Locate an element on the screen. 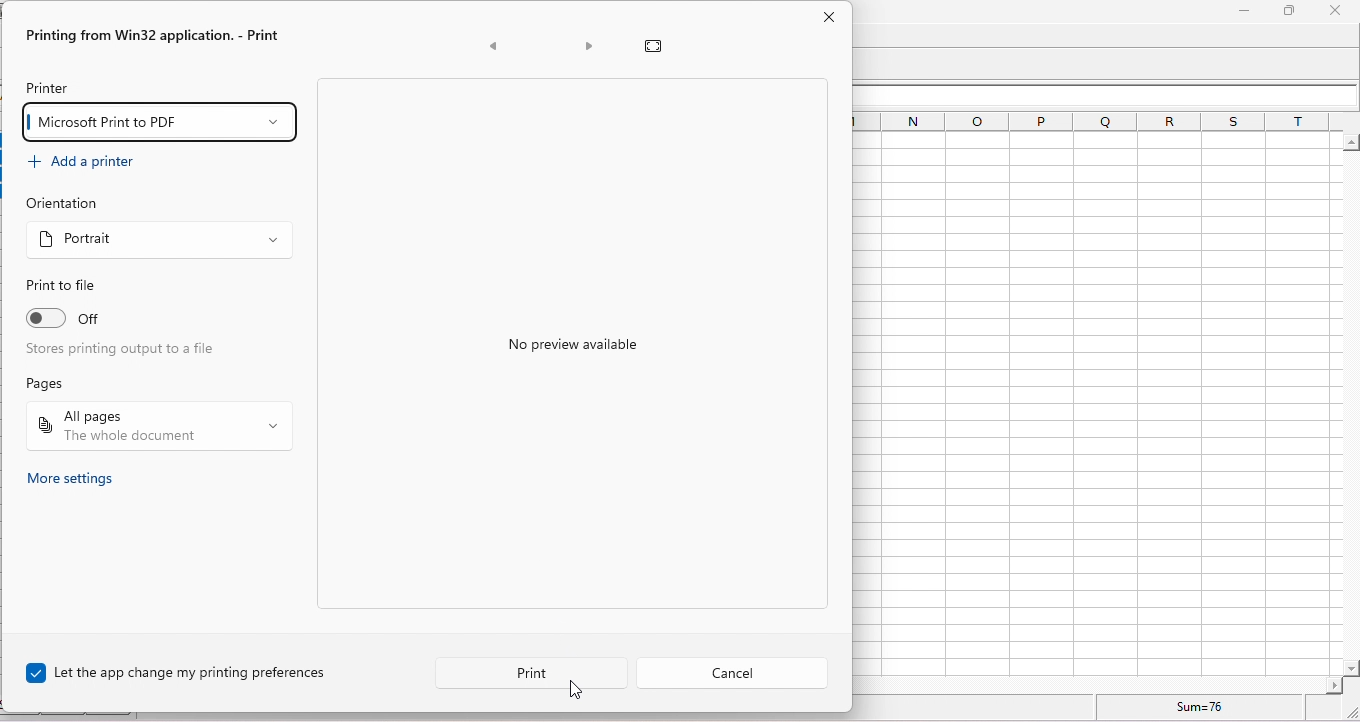  formula bar is located at coordinates (1109, 95).